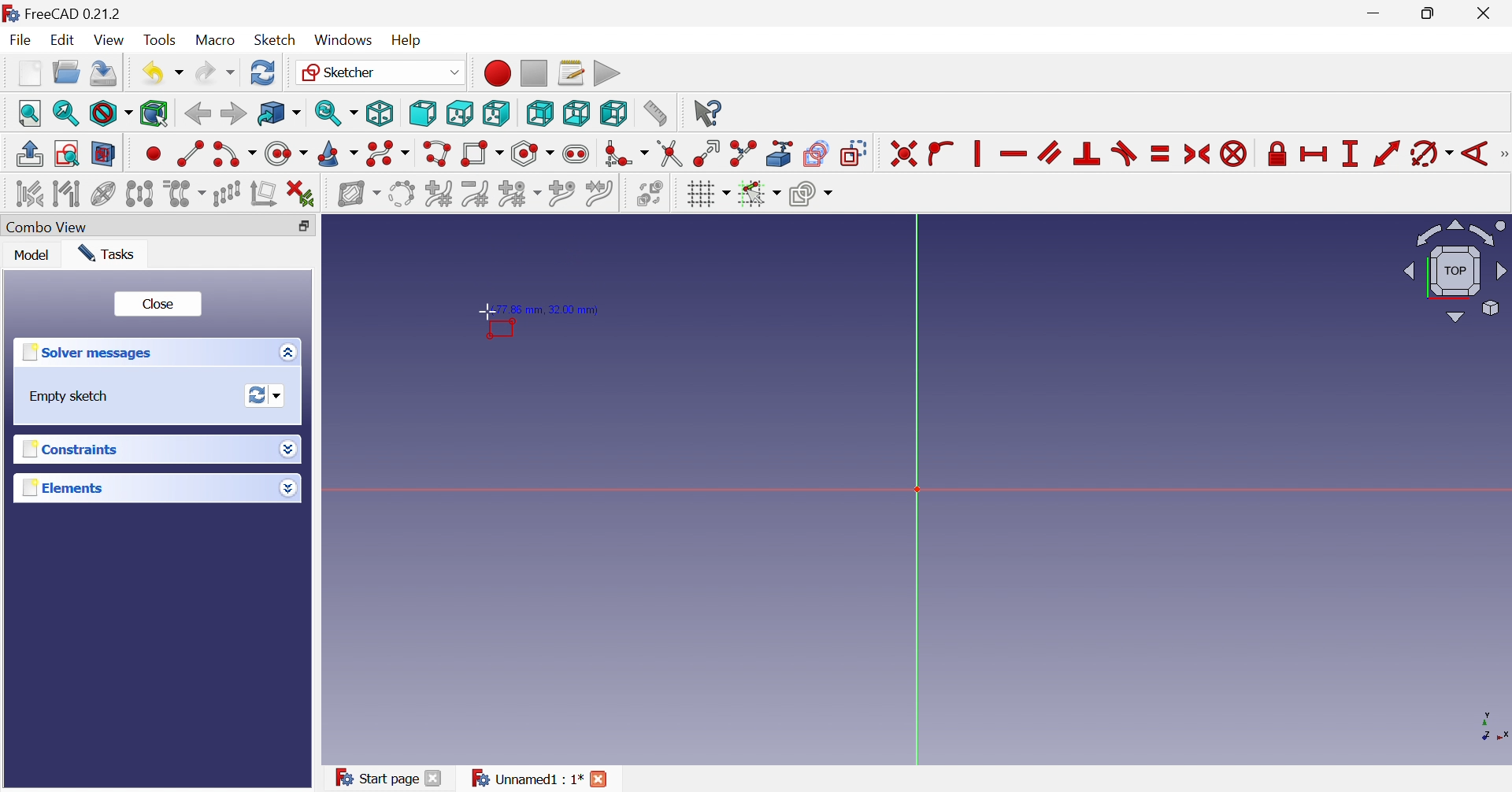 The width and height of the screenshot is (1512, 792). What do you see at coordinates (1456, 272) in the screenshot?
I see `Viewing angle` at bounding box center [1456, 272].